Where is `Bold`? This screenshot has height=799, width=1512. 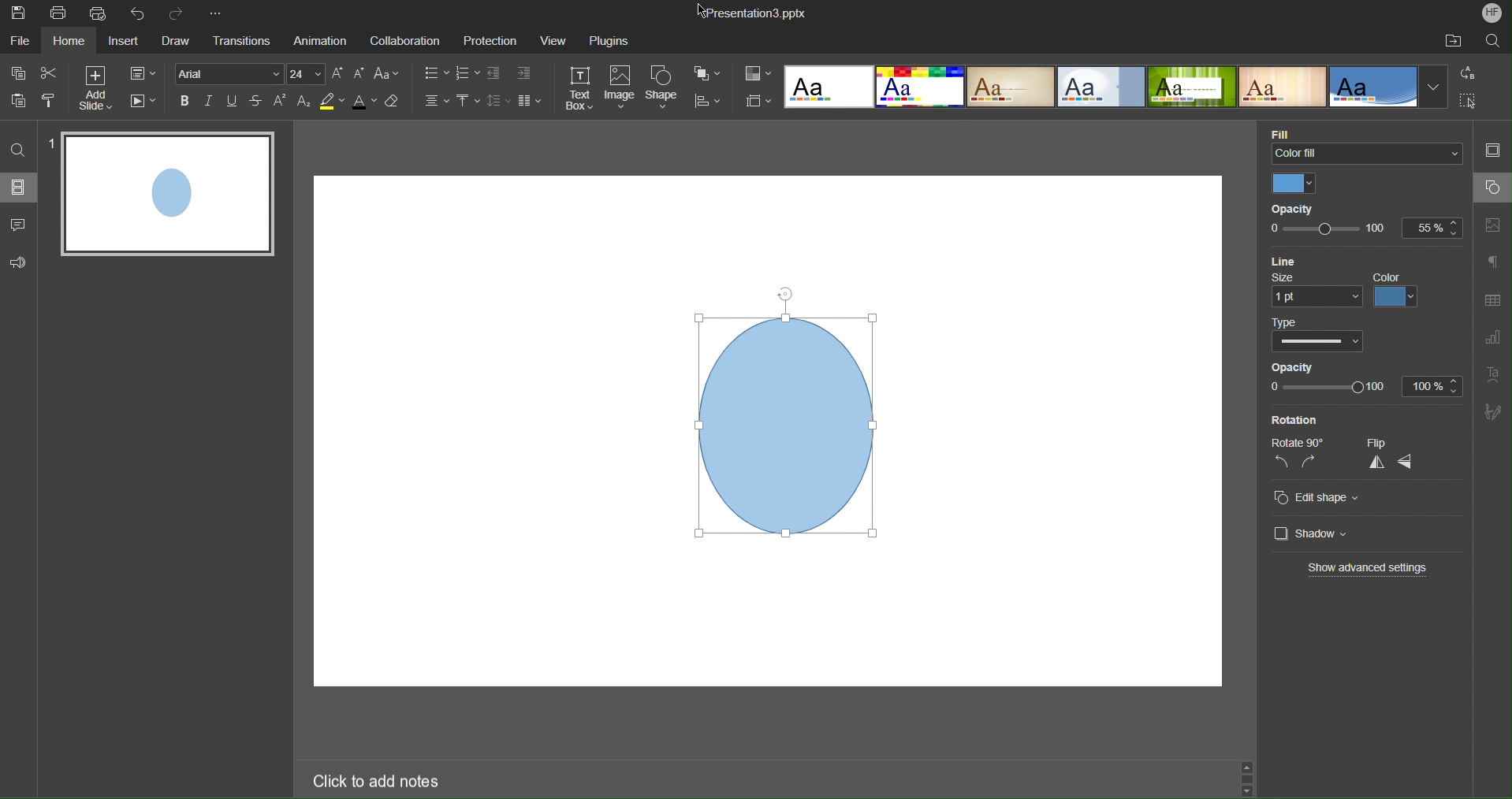
Bold is located at coordinates (184, 102).